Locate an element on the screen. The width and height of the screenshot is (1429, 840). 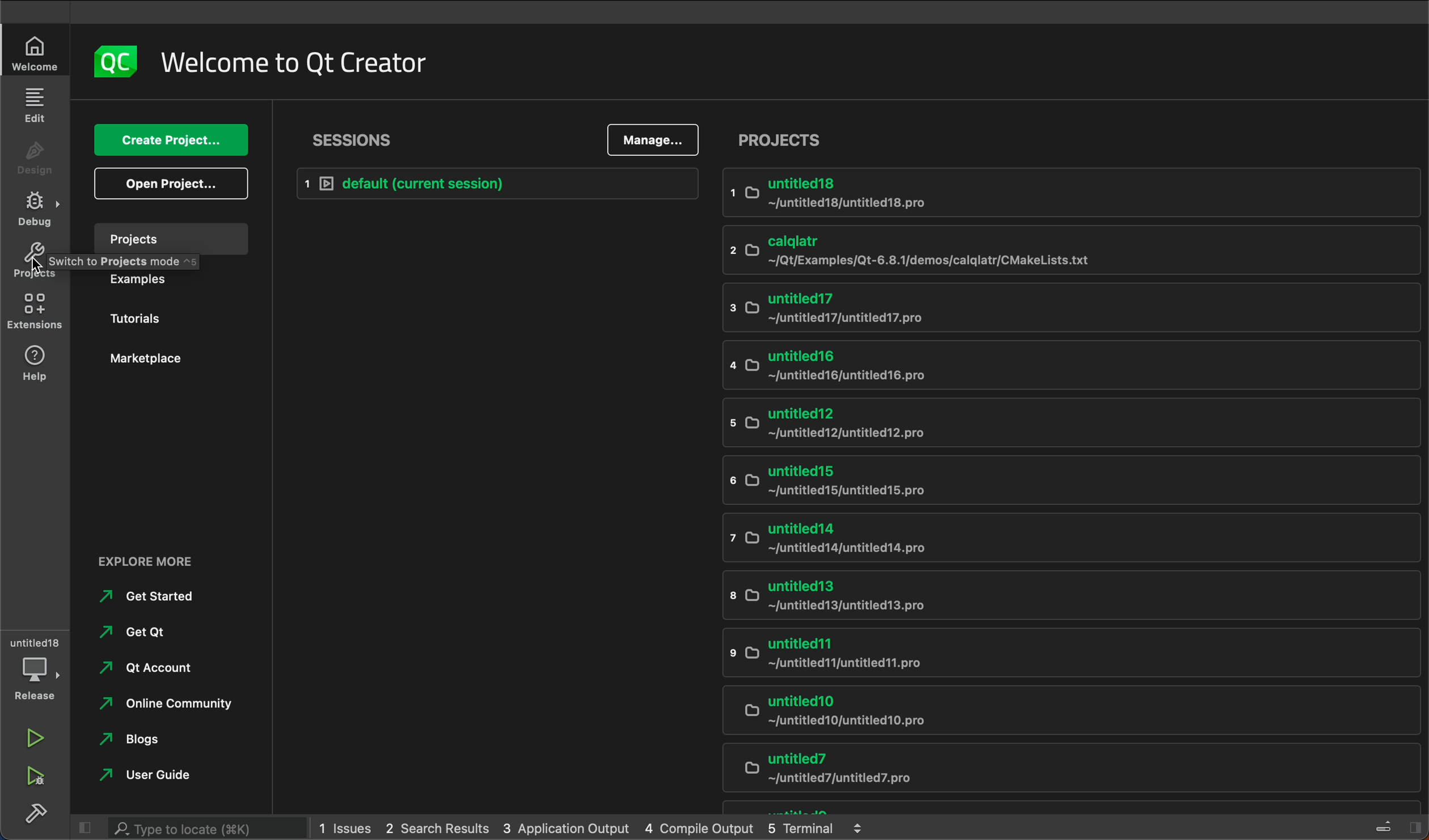
get qt is located at coordinates (136, 635).